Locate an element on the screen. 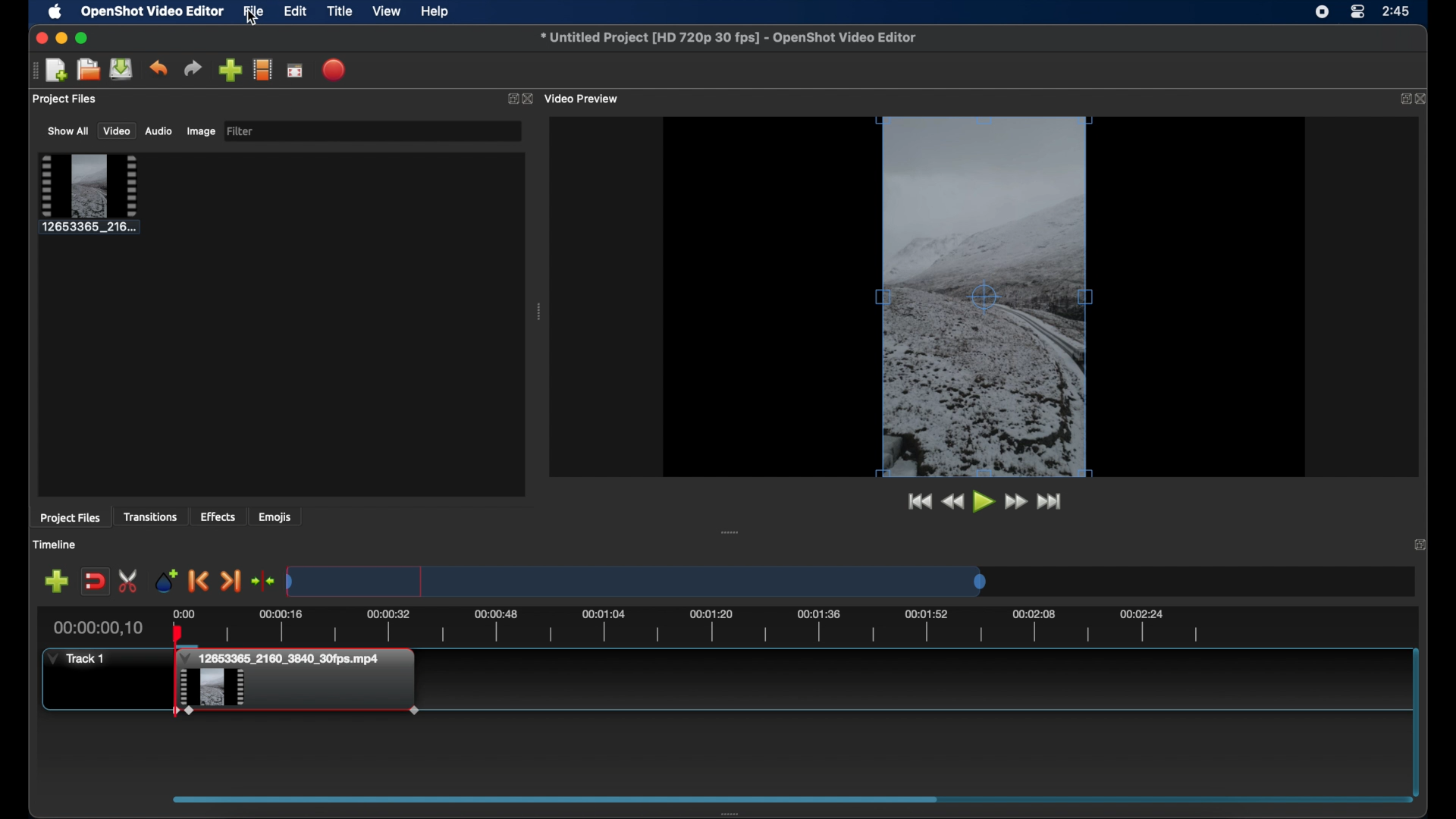 This screenshot has height=819, width=1456. track is located at coordinates (77, 657).